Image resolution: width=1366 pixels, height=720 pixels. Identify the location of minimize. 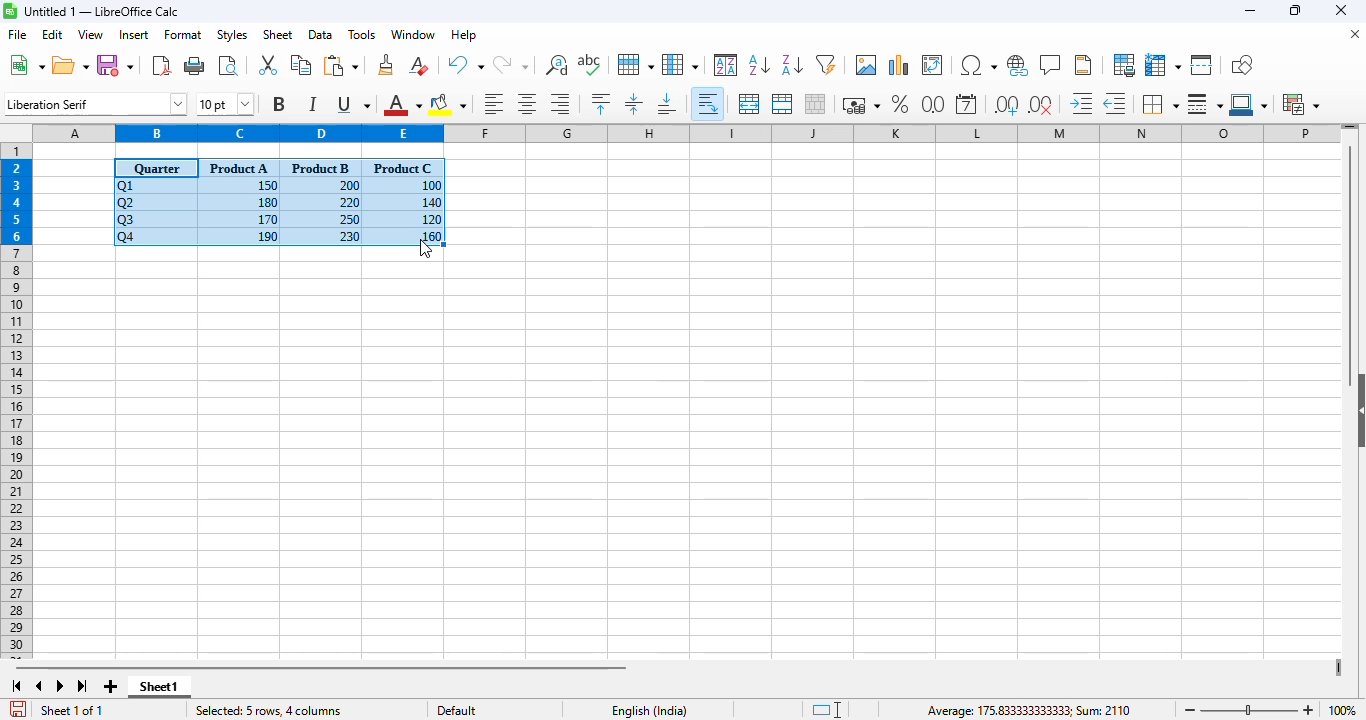
(1251, 12).